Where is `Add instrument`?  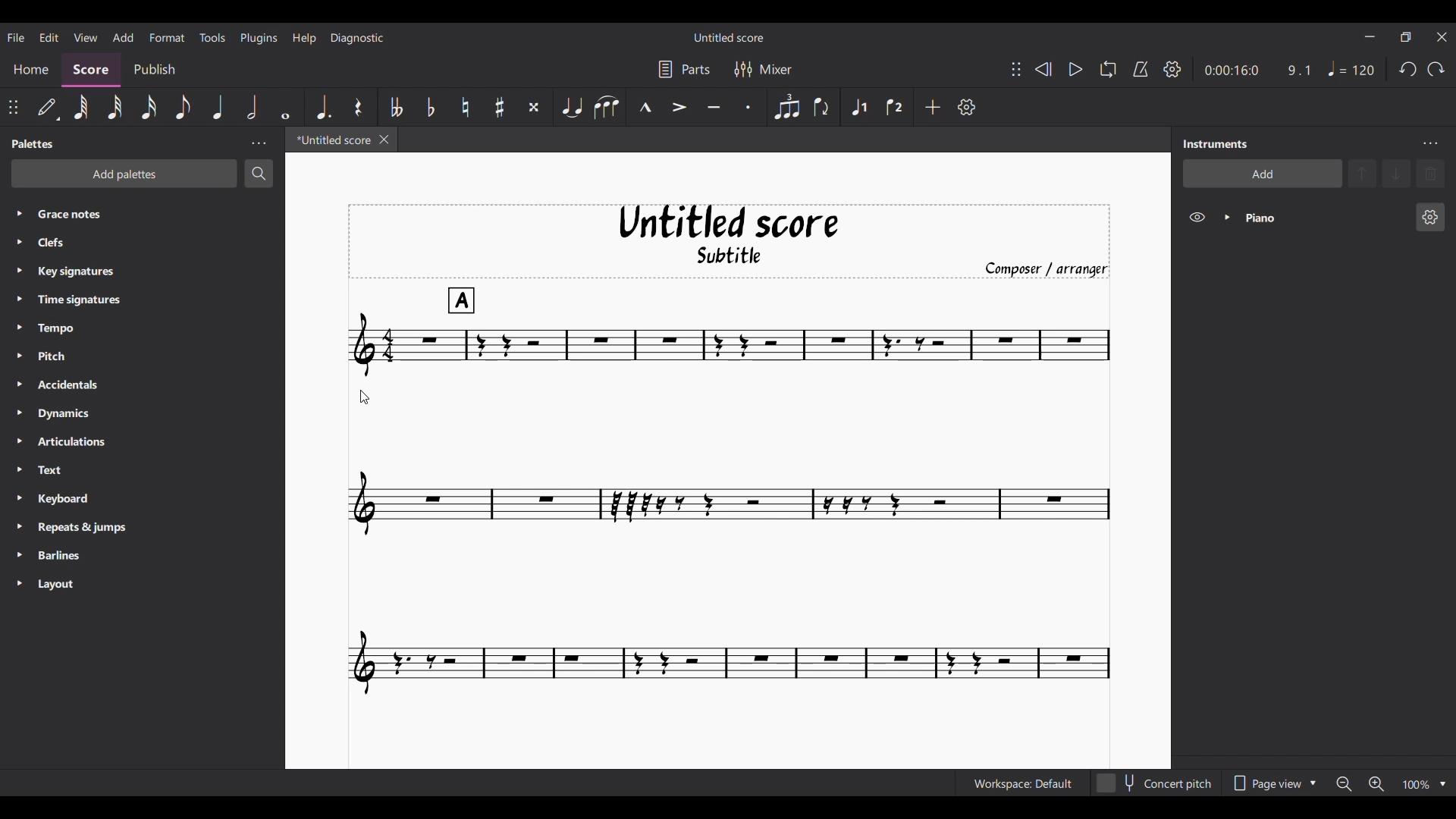 Add instrument is located at coordinates (1263, 174).